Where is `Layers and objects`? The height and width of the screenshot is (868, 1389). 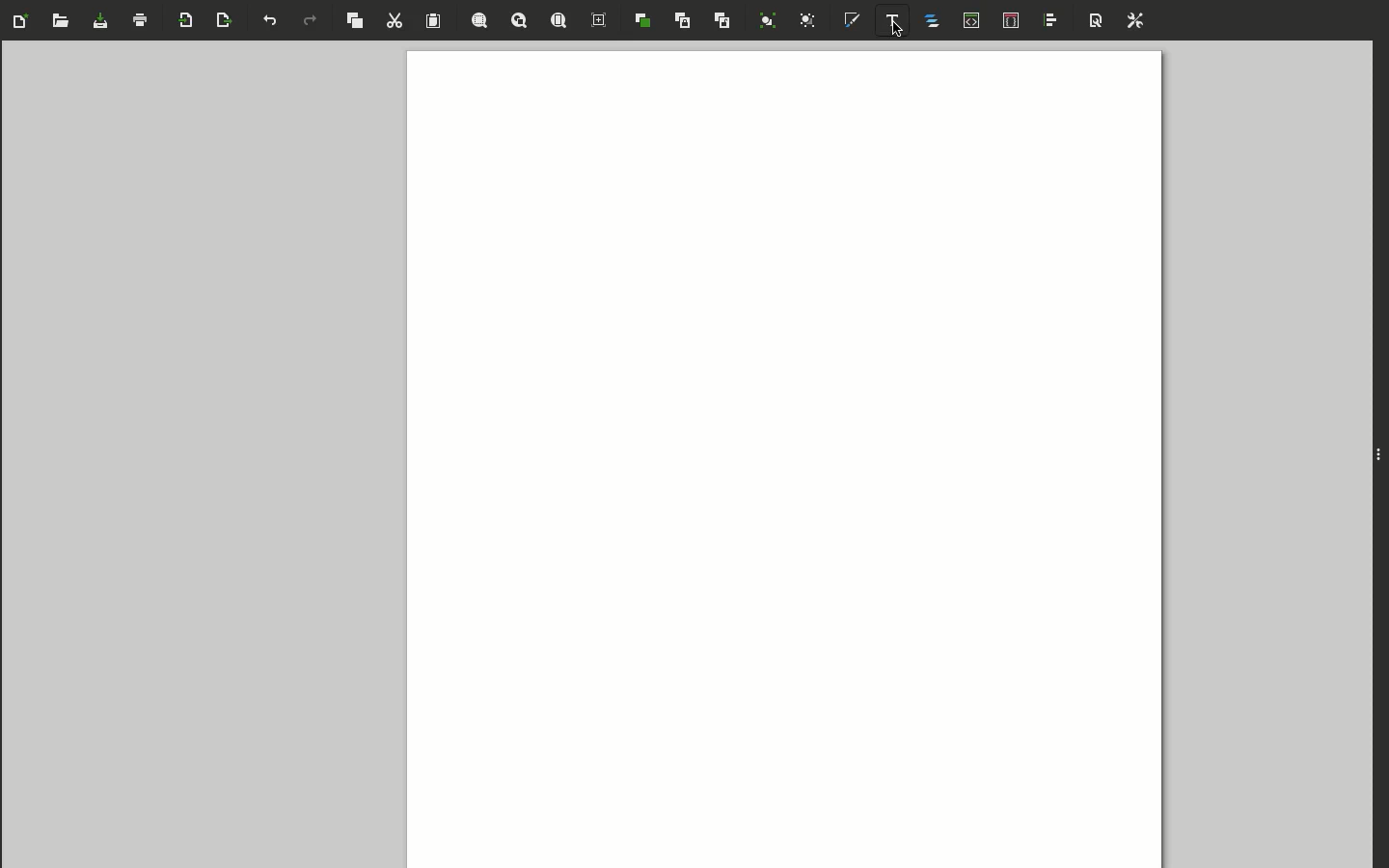
Layers and objects is located at coordinates (937, 23).